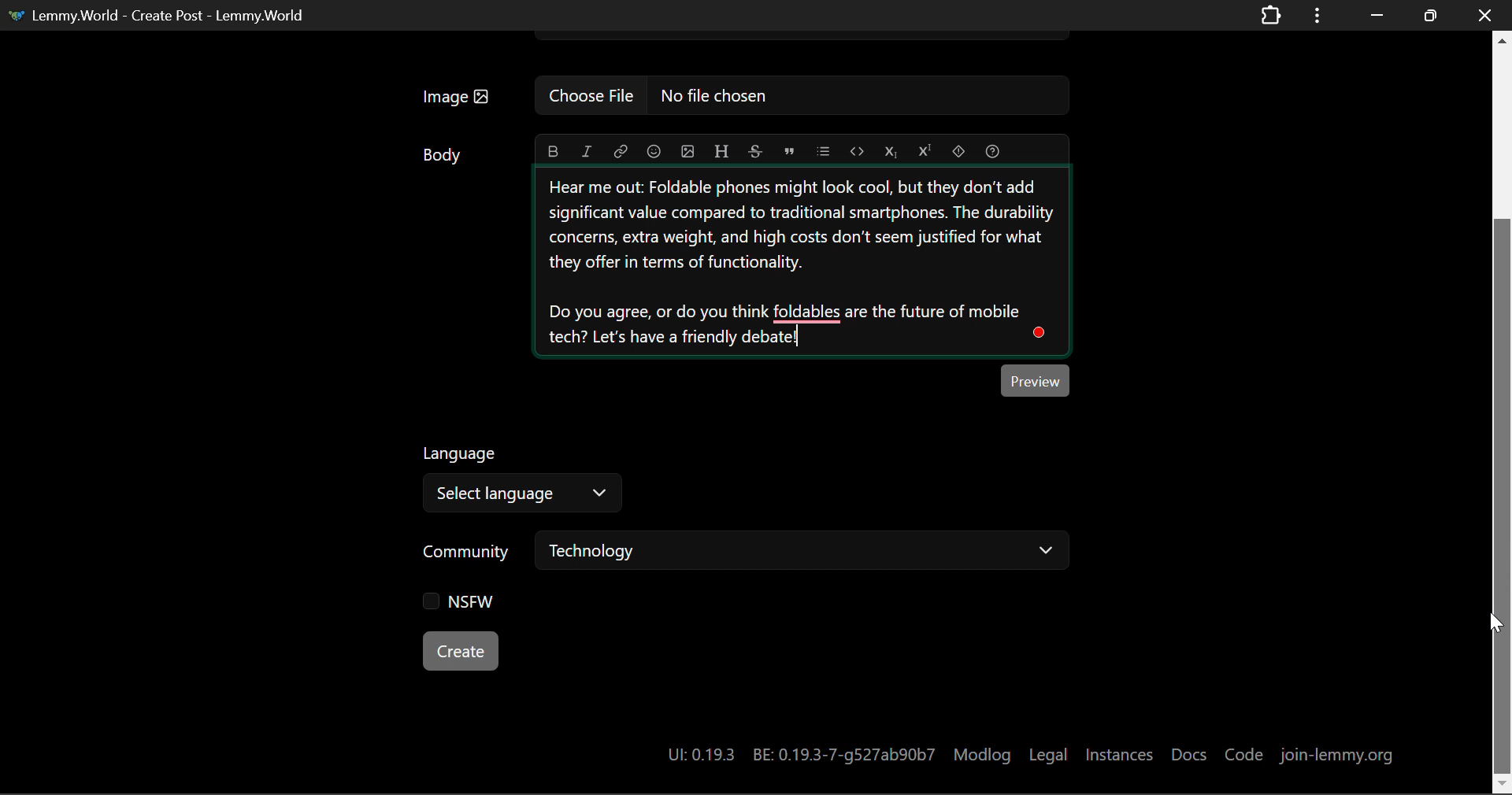 The width and height of the screenshot is (1512, 795). I want to click on quote, so click(789, 150).